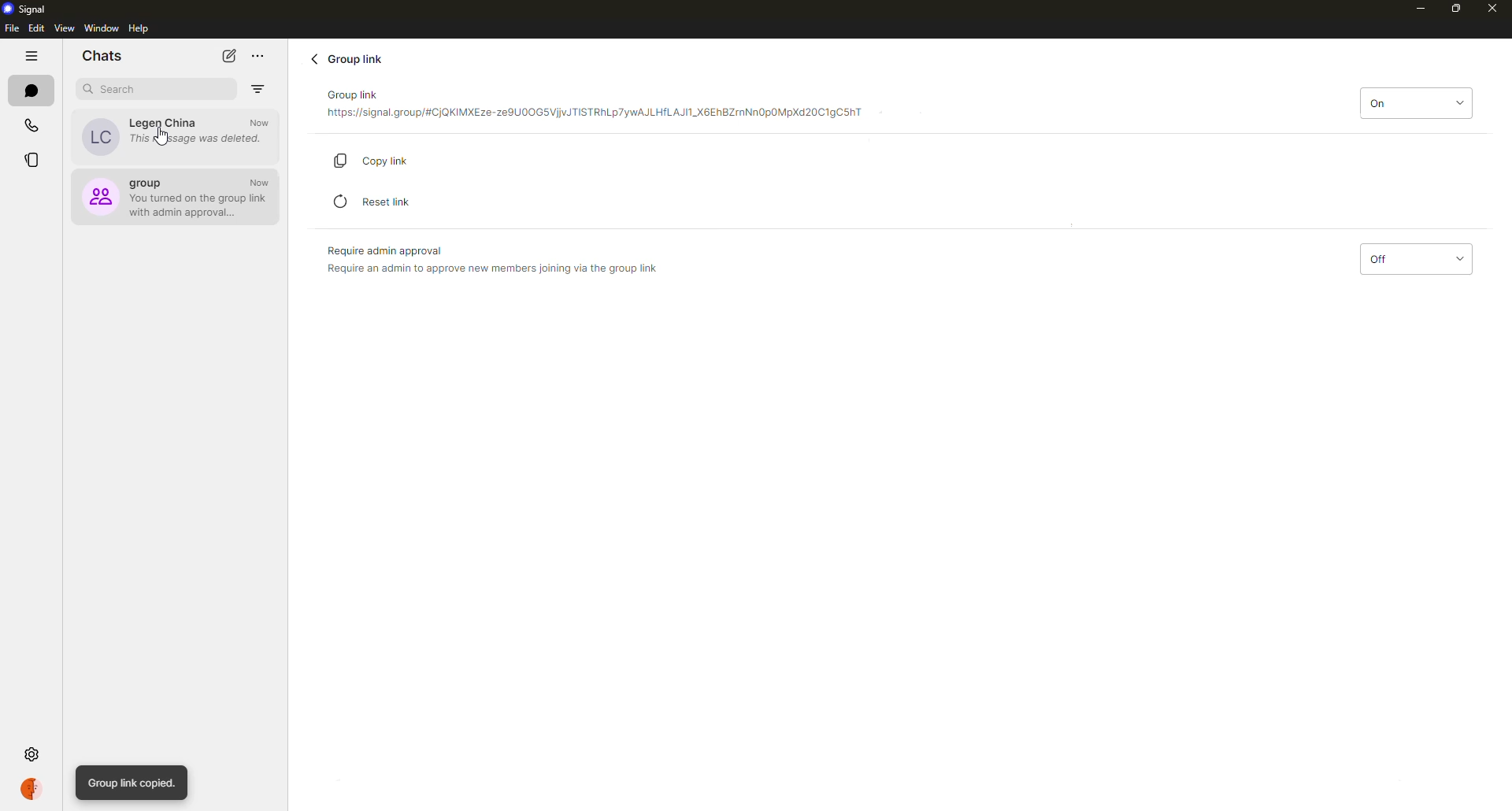  What do you see at coordinates (33, 126) in the screenshot?
I see `calls` at bounding box center [33, 126].